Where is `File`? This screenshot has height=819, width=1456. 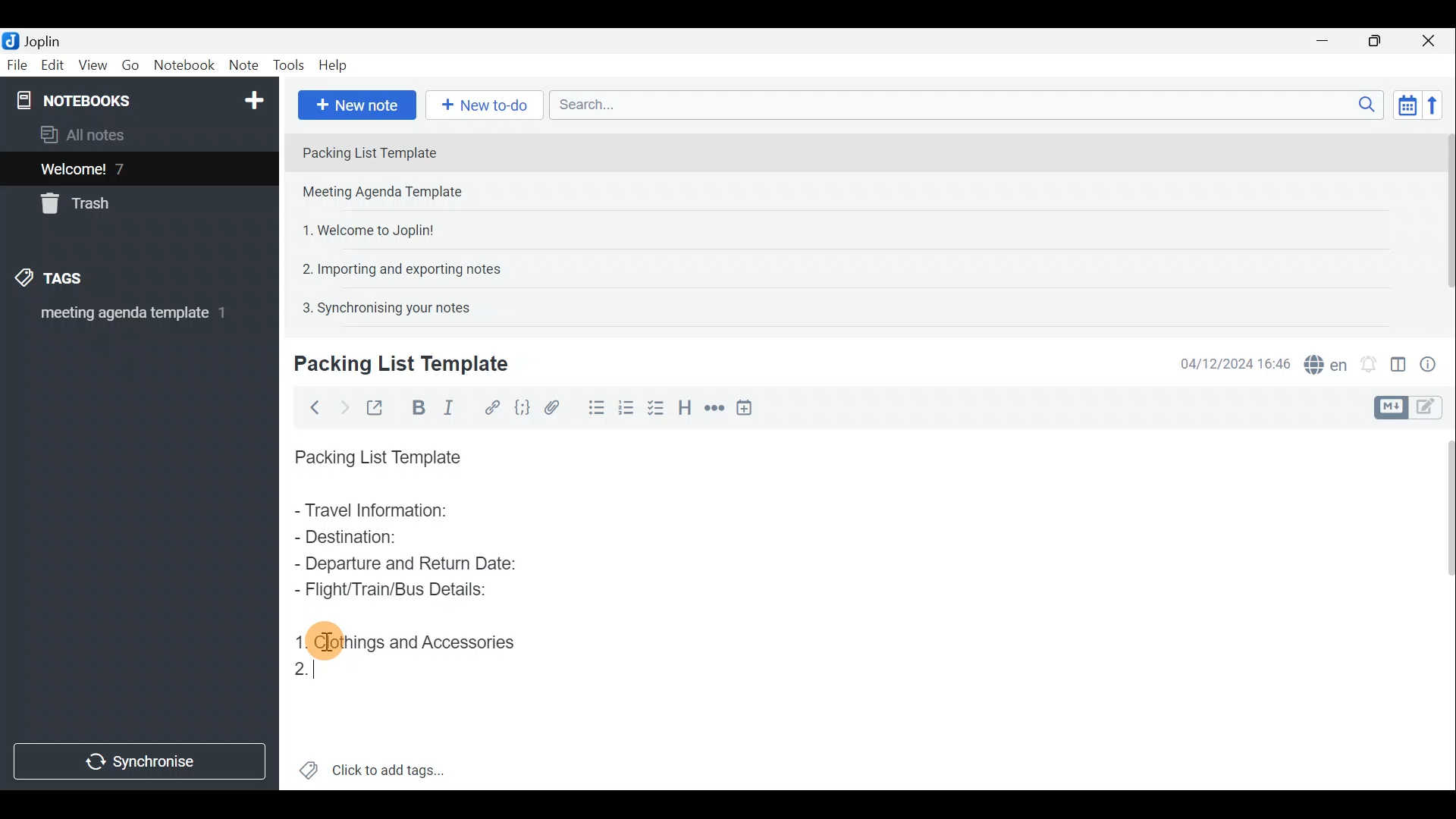
File is located at coordinates (15, 64).